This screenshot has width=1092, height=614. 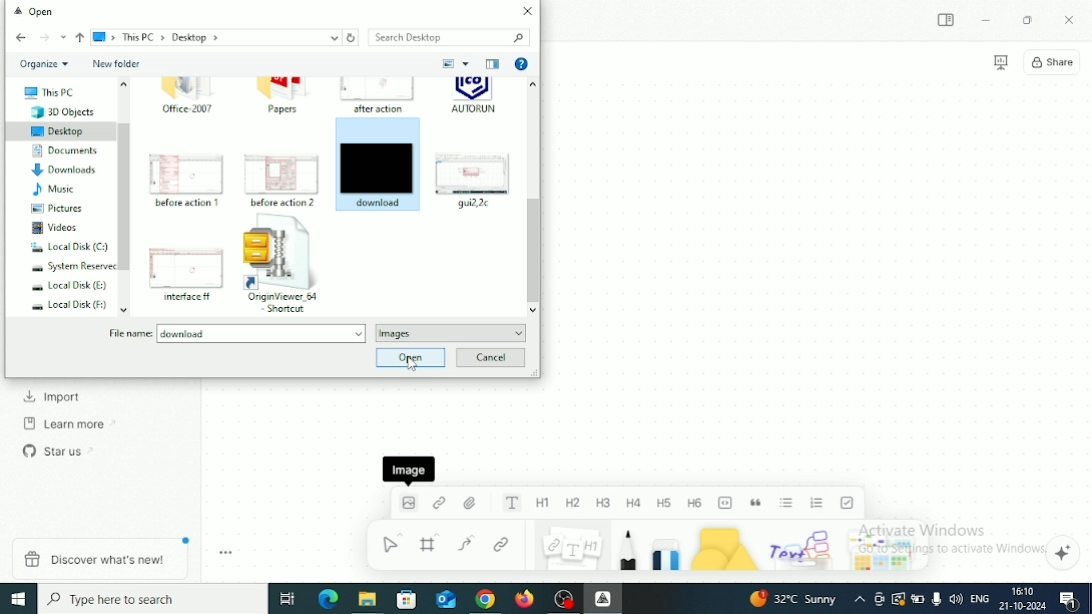 What do you see at coordinates (43, 38) in the screenshot?
I see `Forward` at bounding box center [43, 38].